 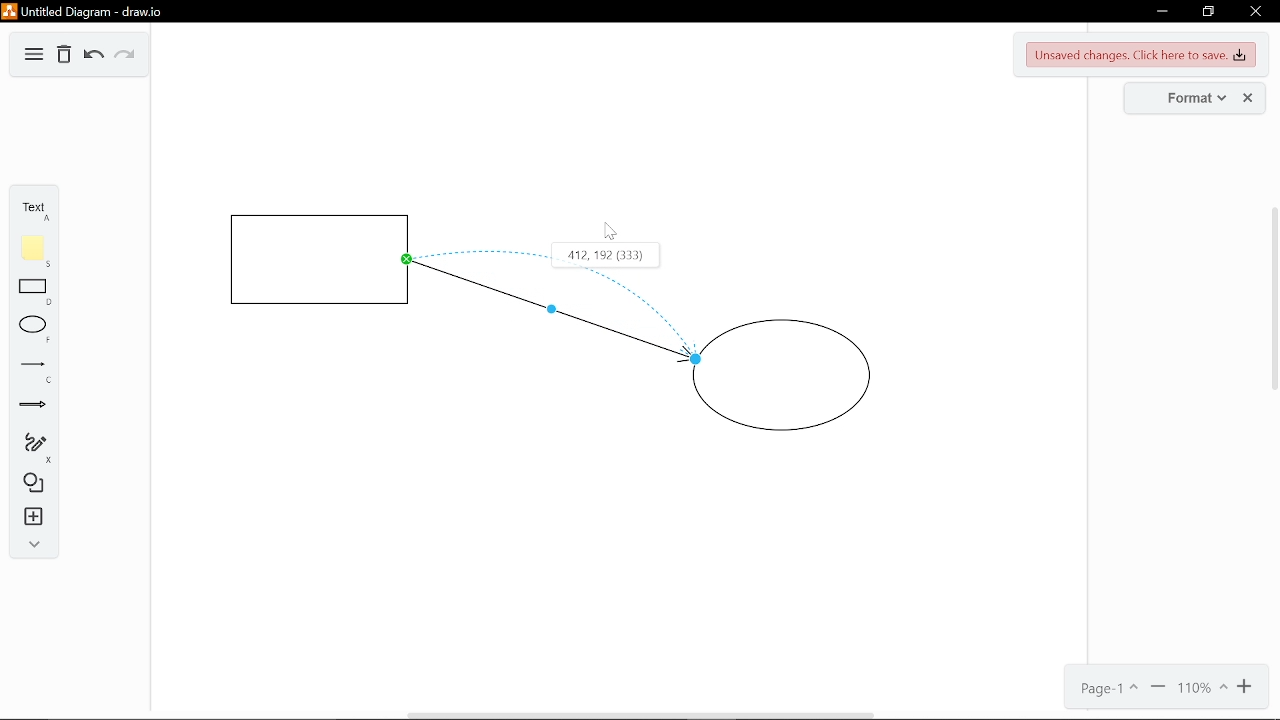 I want to click on Redo, so click(x=127, y=58).